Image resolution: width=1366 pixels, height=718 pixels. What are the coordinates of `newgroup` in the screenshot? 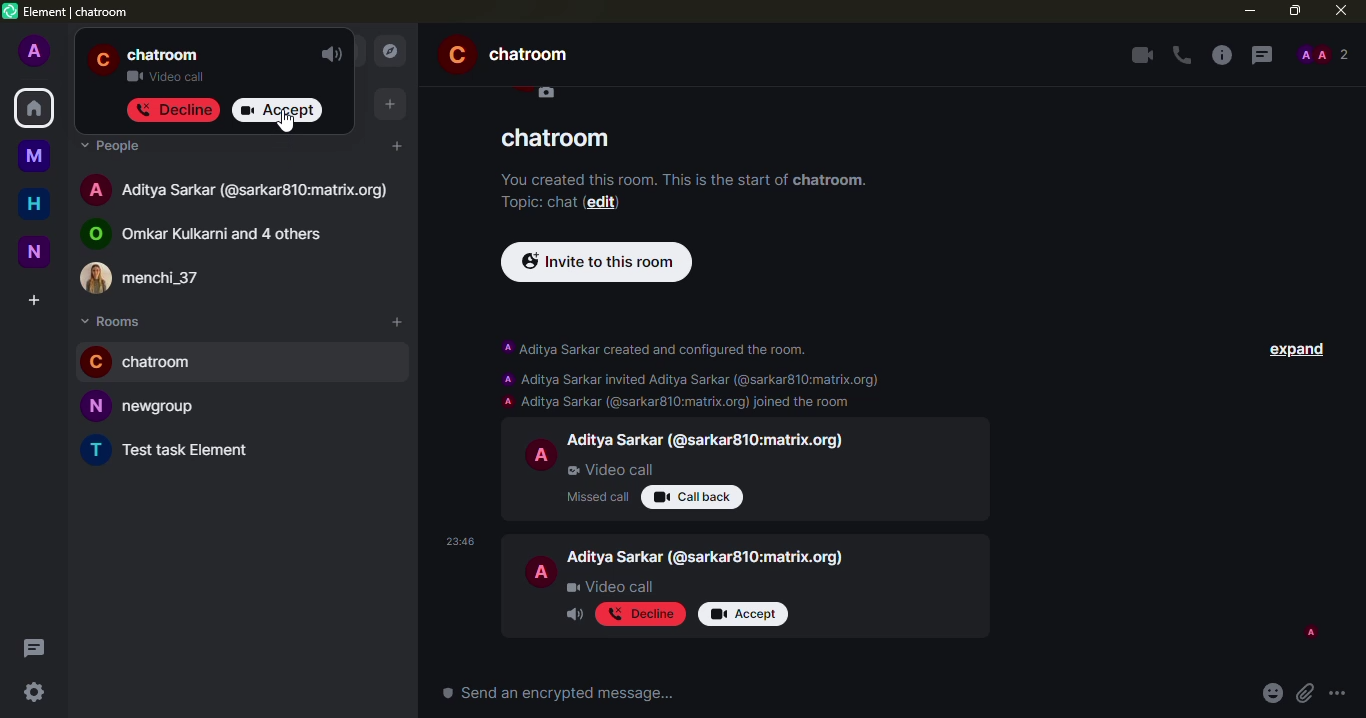 It's located at (144, 406).